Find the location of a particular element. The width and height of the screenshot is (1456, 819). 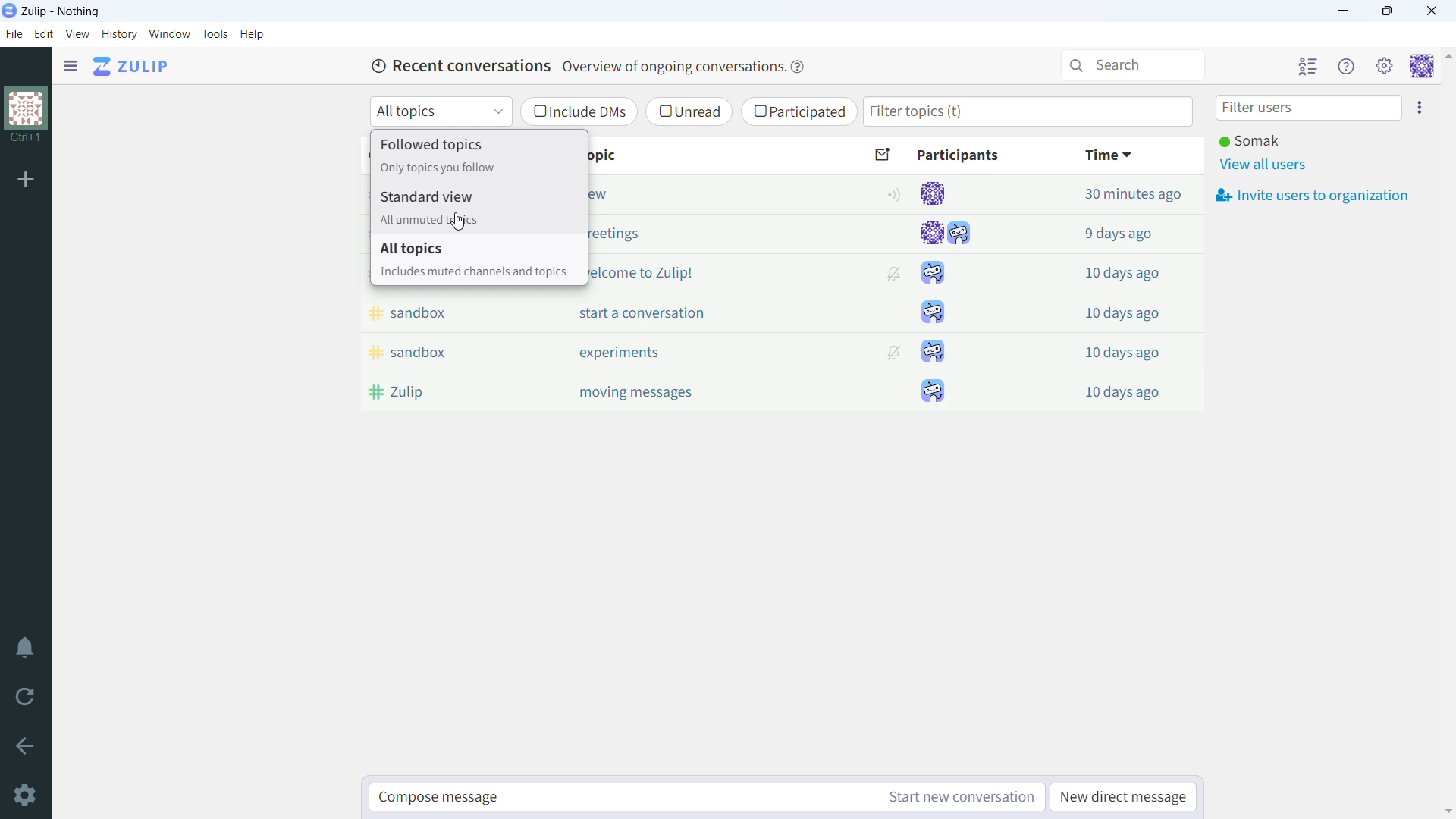

10 days ago is located at coordinates (1122, 353).